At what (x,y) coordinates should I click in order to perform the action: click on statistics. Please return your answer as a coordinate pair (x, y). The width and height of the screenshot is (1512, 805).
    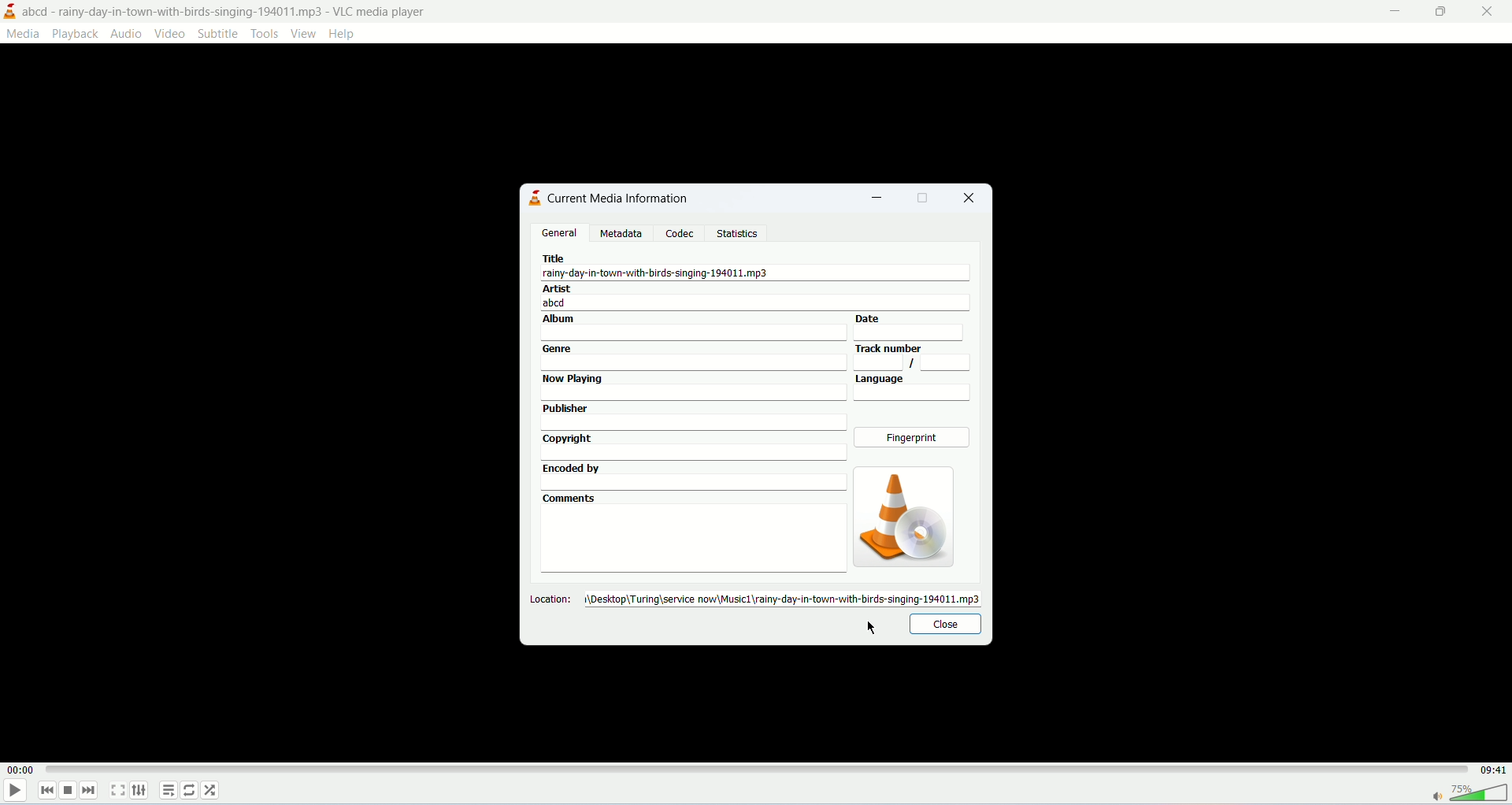
    Looking at the image, I should click on (738, 232).